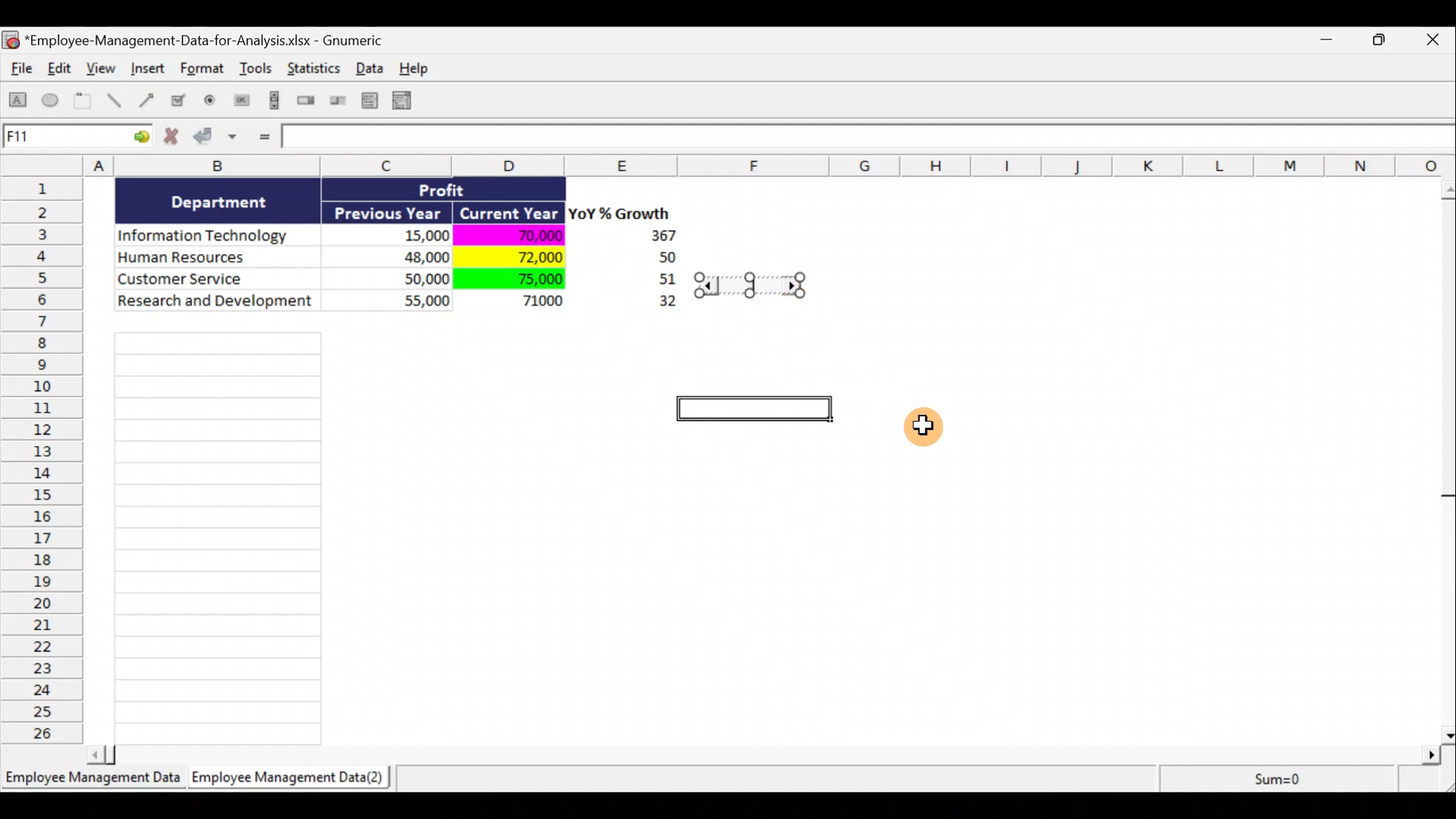  Describe the element at coordinates (262, 138) in the screenshot. I see `Enter formula` at that location.